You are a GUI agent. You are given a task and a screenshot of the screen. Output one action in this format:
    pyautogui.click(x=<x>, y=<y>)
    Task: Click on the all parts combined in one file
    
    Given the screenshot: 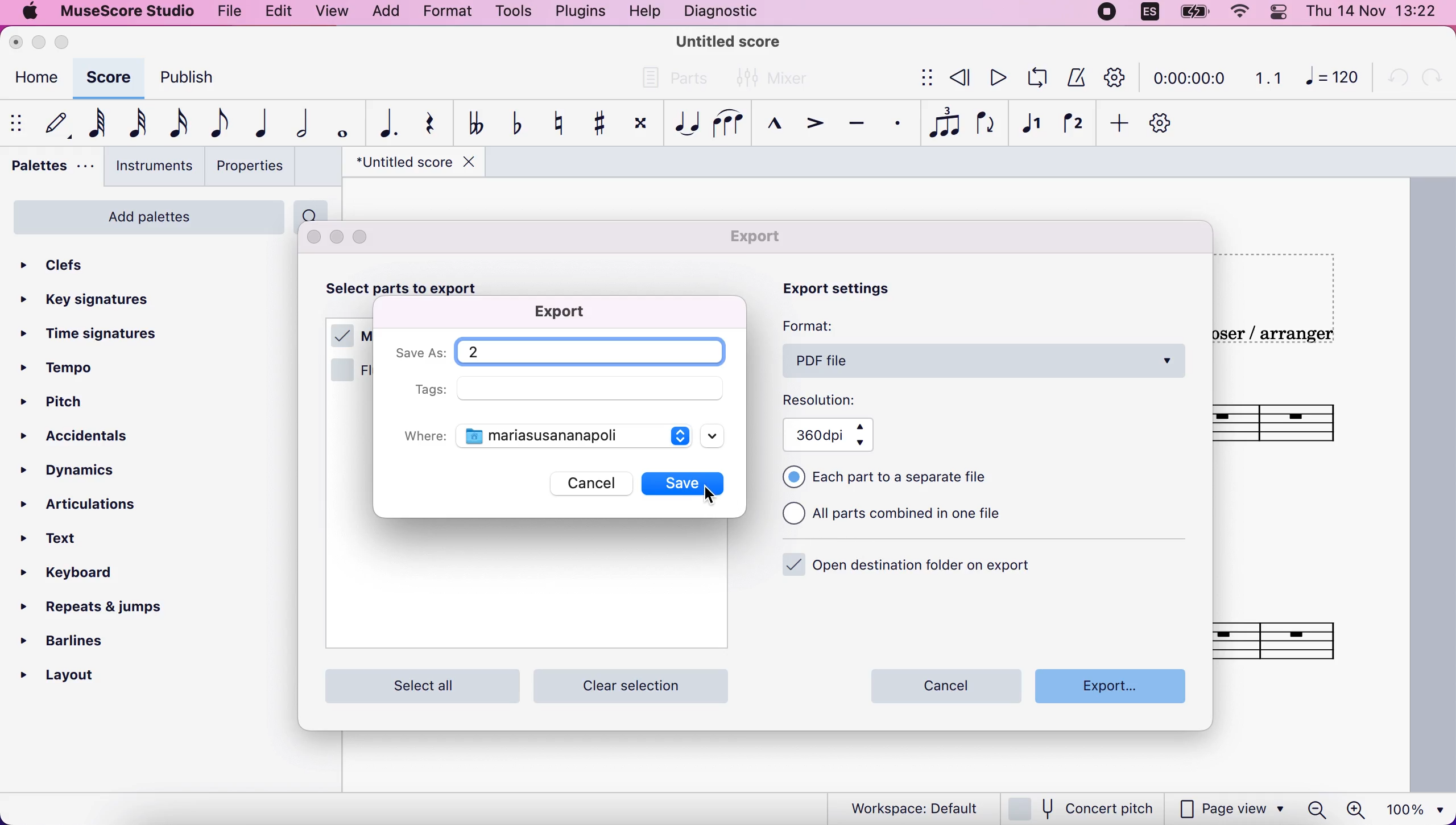 What is the action you would take?
    pyautogui.click(x=913, y=518)
    